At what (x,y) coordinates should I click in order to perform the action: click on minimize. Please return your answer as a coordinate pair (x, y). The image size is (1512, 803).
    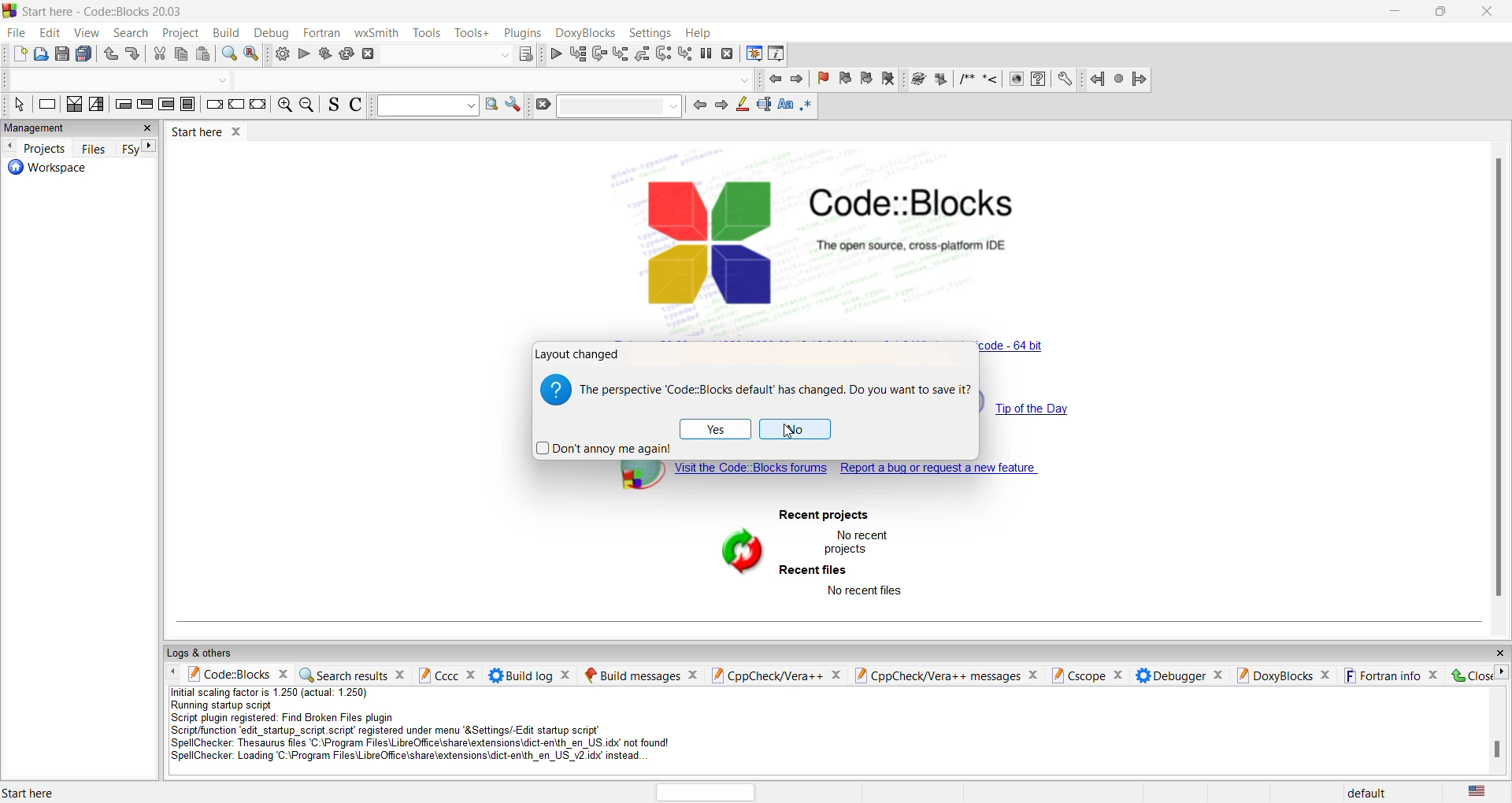
    Looking at the image, I should click on (1397, 12).